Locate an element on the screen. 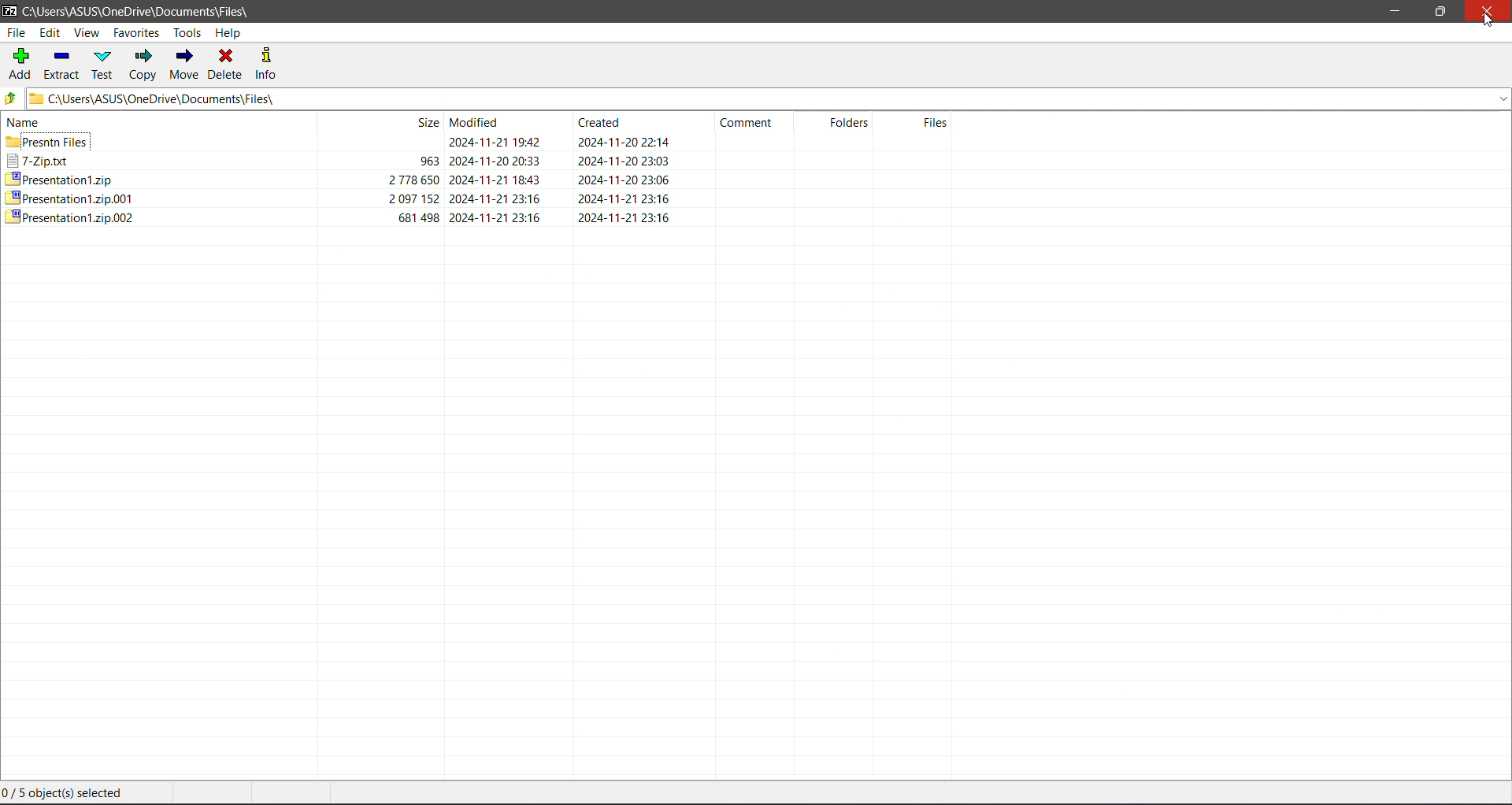 The width and height of the screenshot is (1512, 805). 681498 2024-11-21 23:16 2024-11-21 23:16 is located at coordinates (541, 221).